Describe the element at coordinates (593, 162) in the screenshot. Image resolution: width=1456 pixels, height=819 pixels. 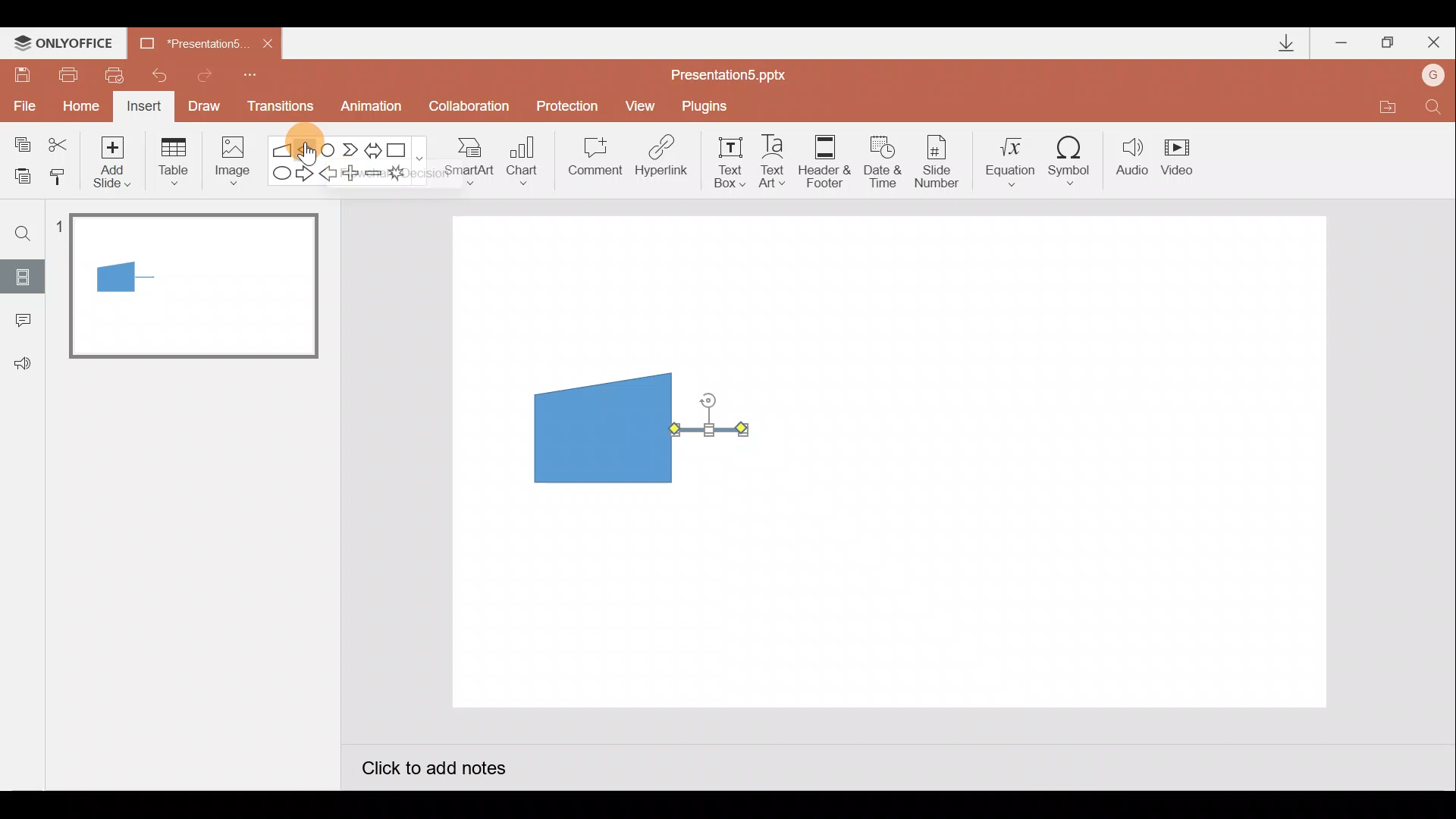
I see `Comment` at that location.